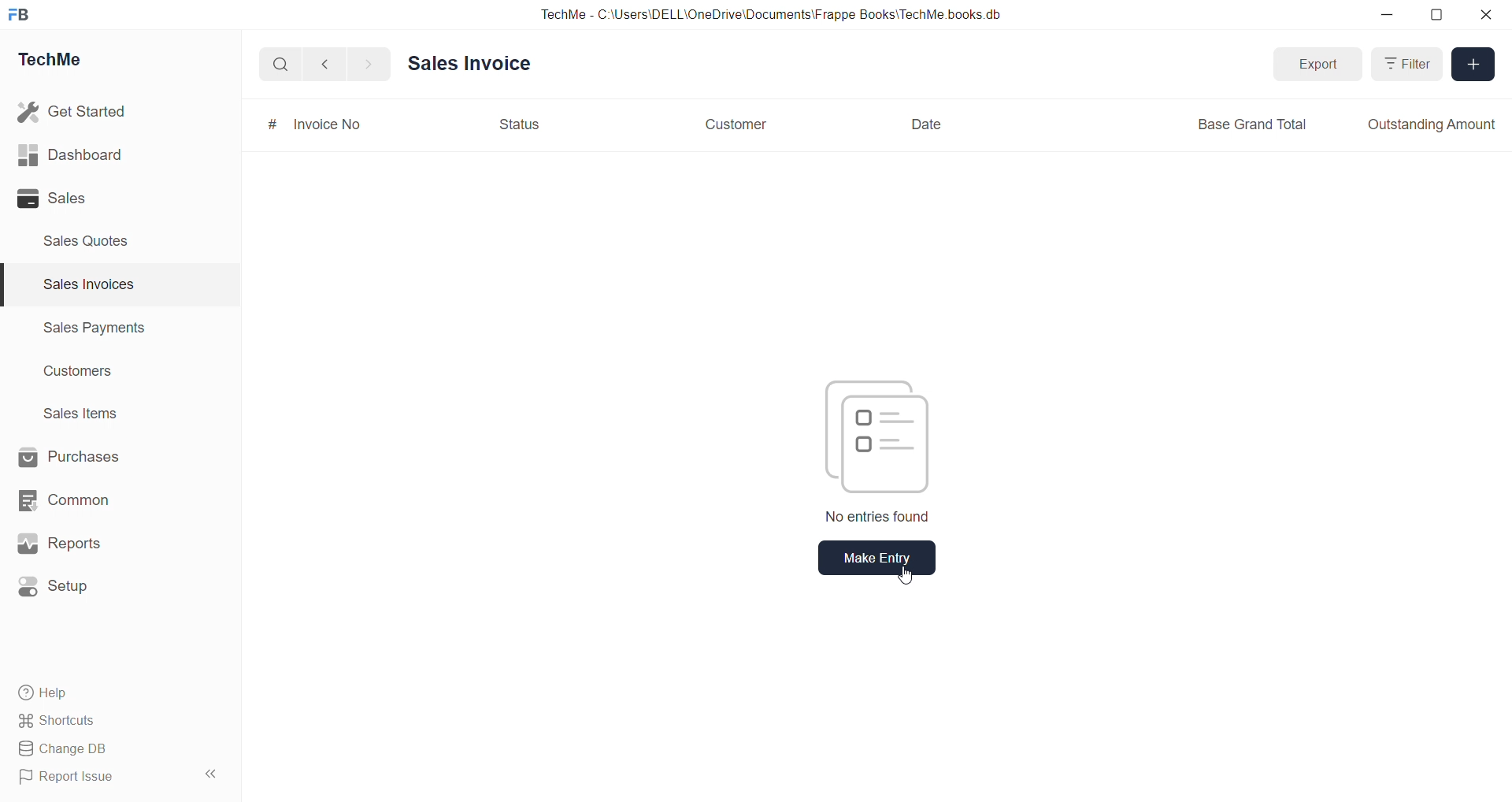 This screenshot has width=1512, height=802. What do you see at coordinates (64, 500) in the screenshot?
I see `Common` at bounding box center [64, 500].